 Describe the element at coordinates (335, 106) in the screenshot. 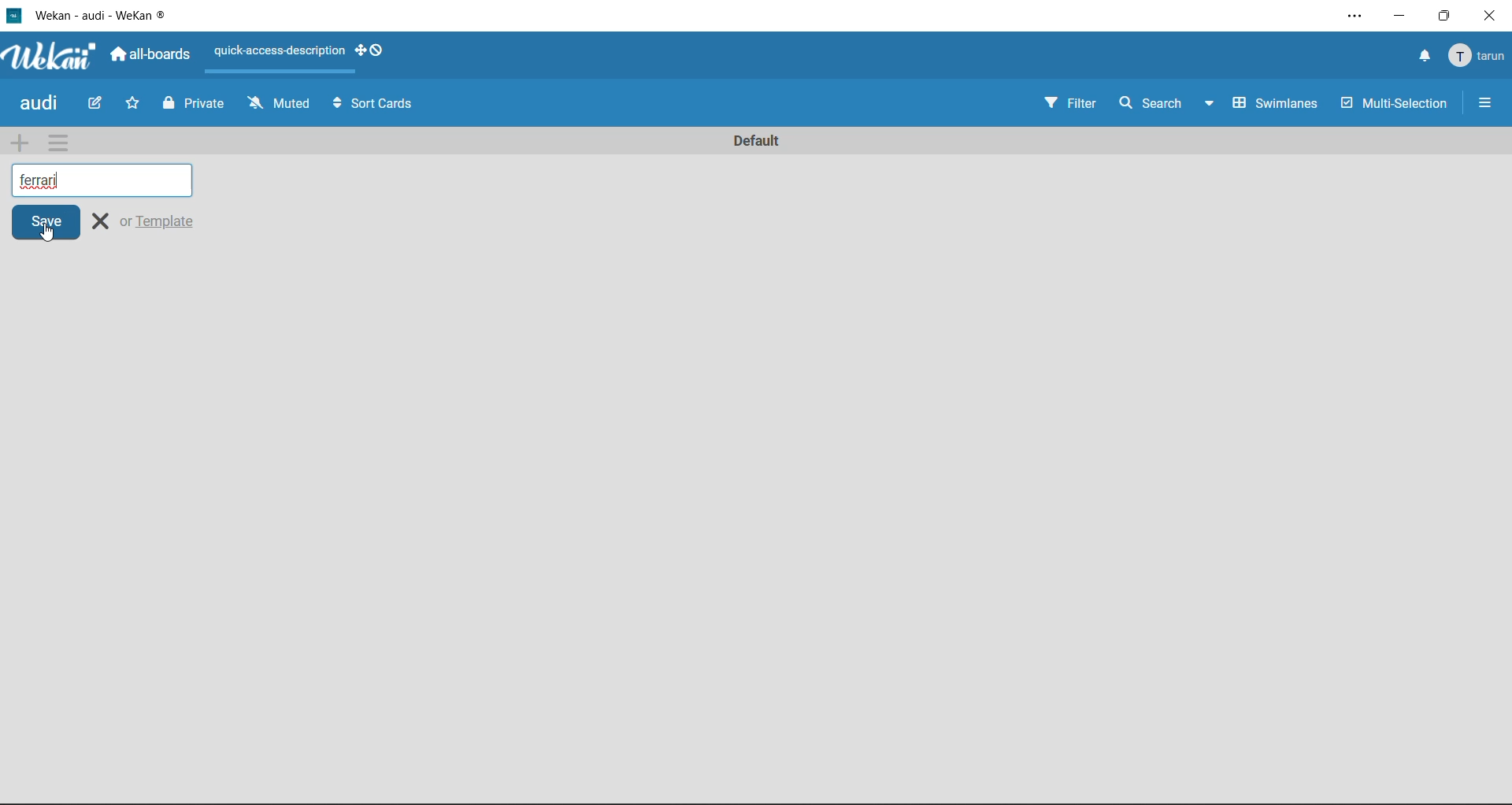

I see `Arrows` at that location.